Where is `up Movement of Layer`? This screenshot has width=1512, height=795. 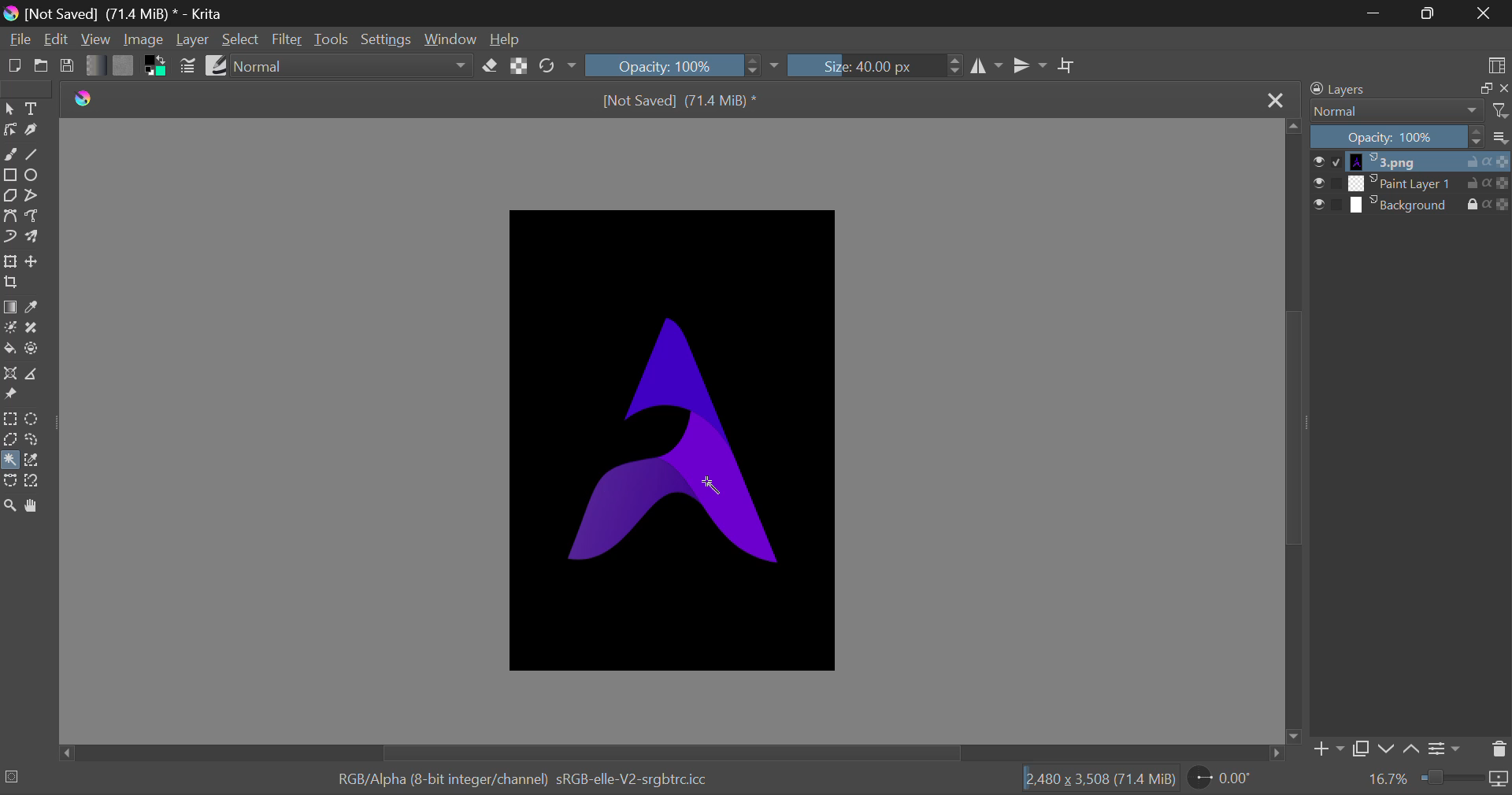 up Movement of Layer is located at coordinates (1411, 749).